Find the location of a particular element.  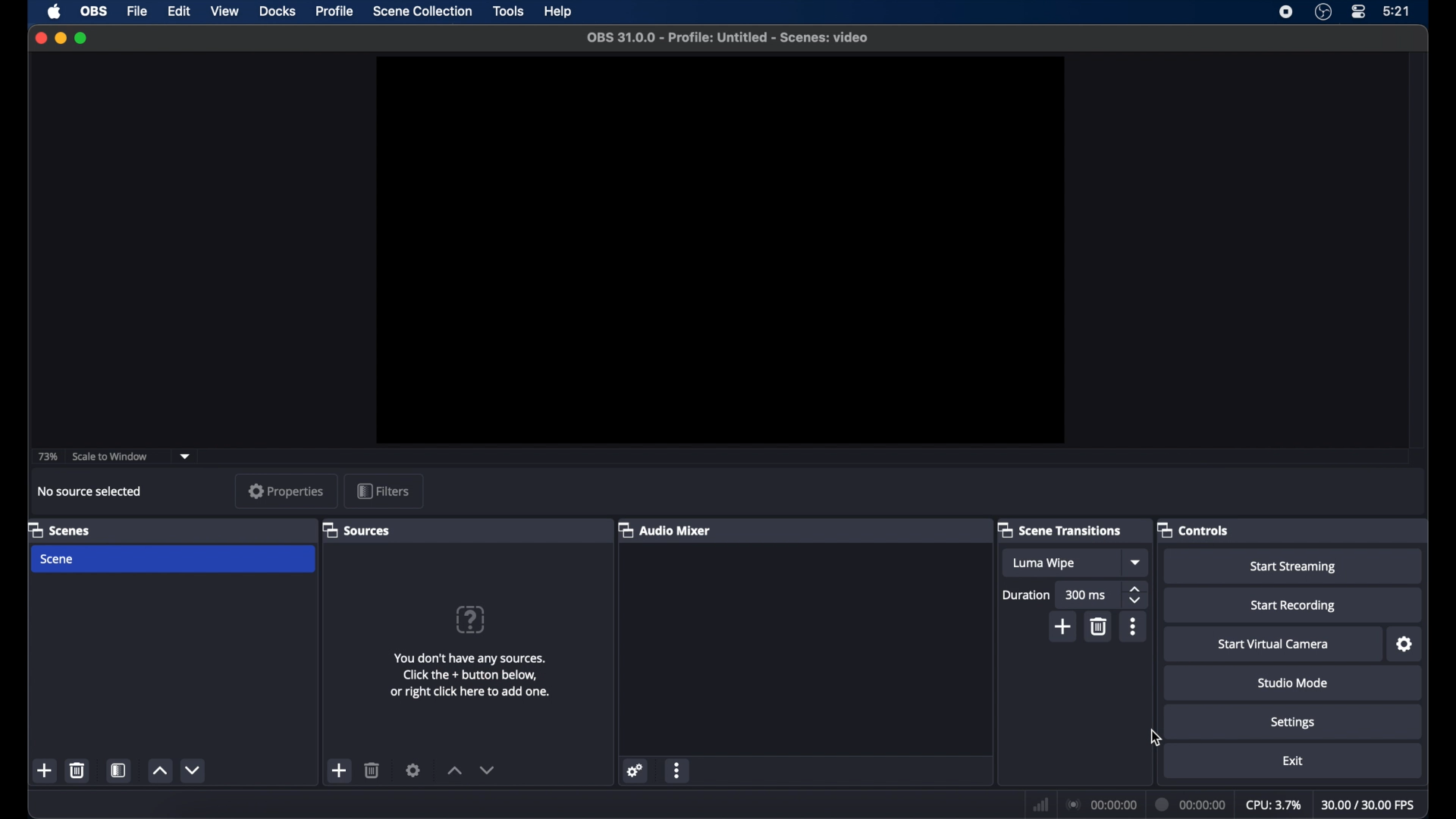

controls is located at coordinates (1193, 529).